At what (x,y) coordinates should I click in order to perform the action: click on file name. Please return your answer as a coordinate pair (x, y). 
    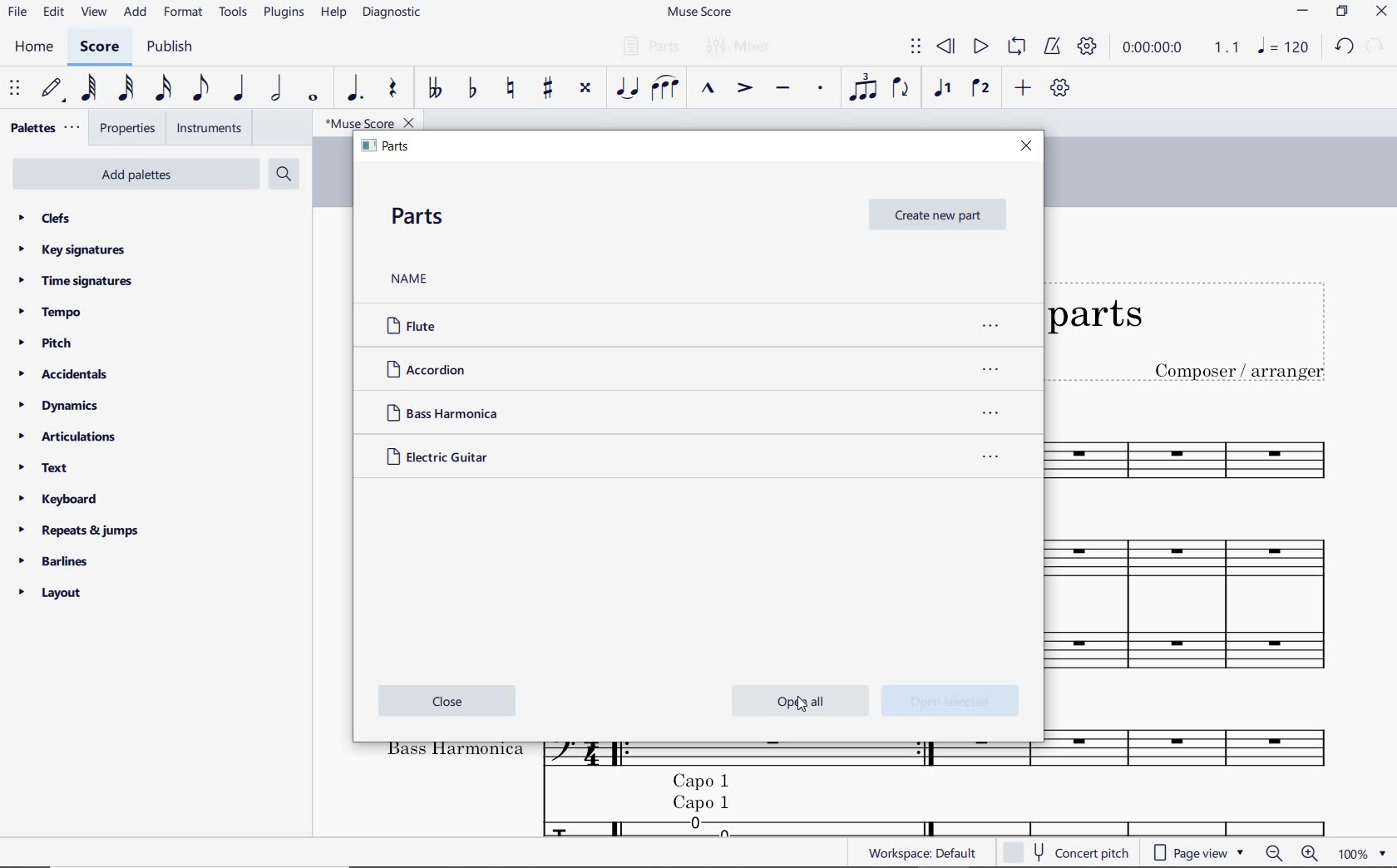
    Looking at the image, I should click on (373, 122).